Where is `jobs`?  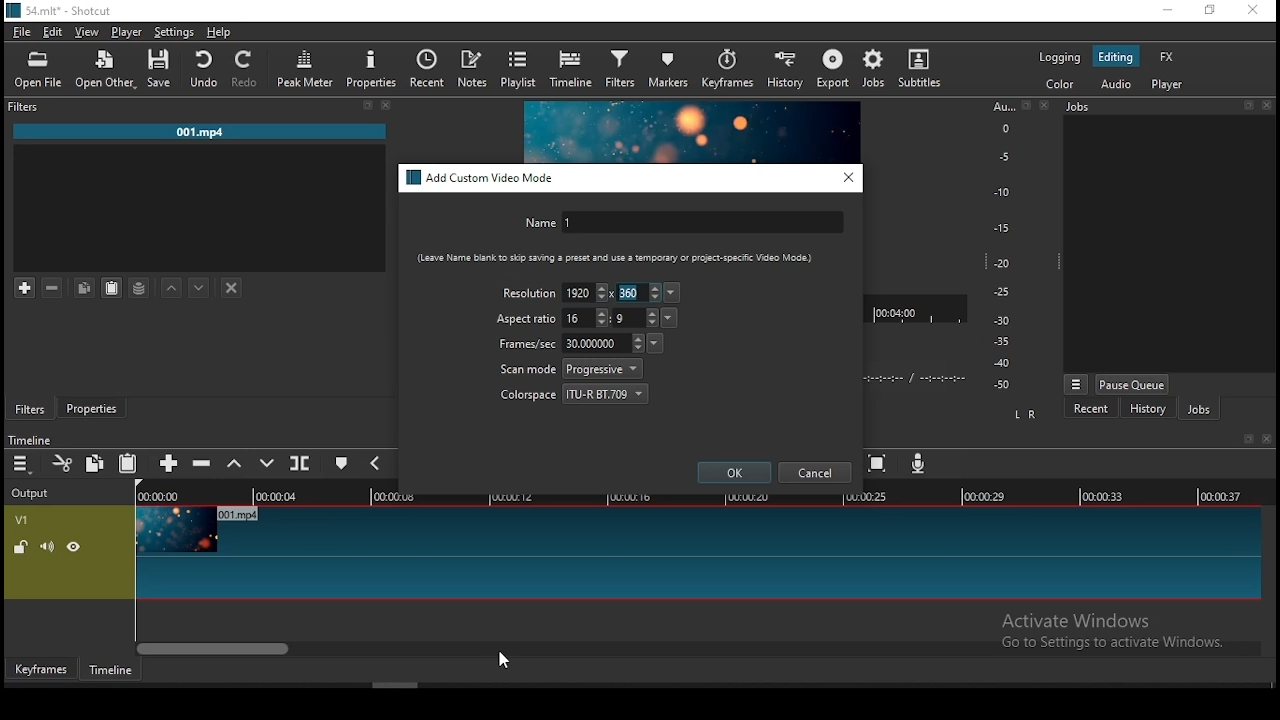 jobs is located at coordinates (875, 68).